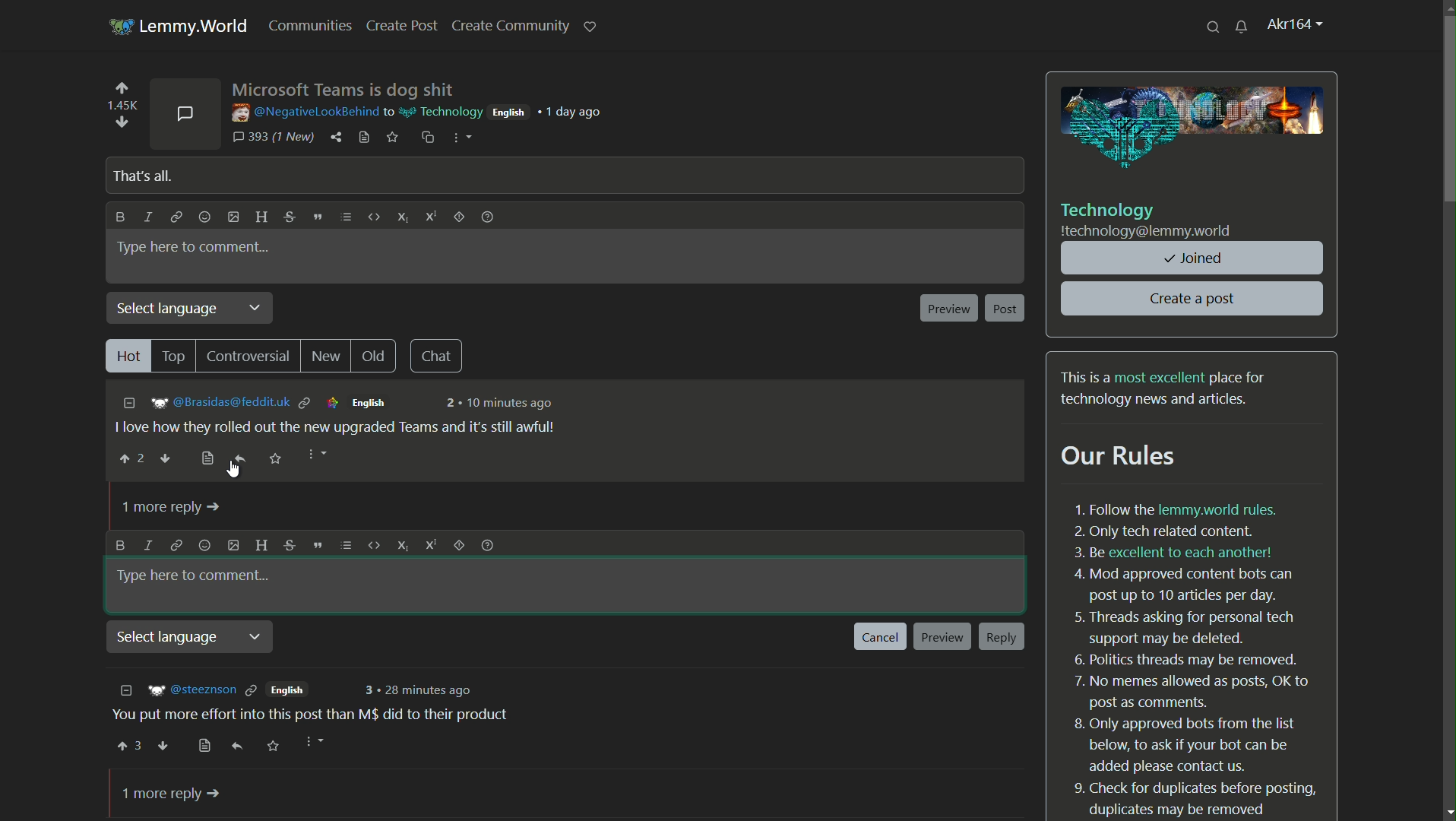 This screenshot has width=1456, height=821. What do you see at coordinates (508, 112) in the screenshot?
I see `english` at bounding box center [508, 112].